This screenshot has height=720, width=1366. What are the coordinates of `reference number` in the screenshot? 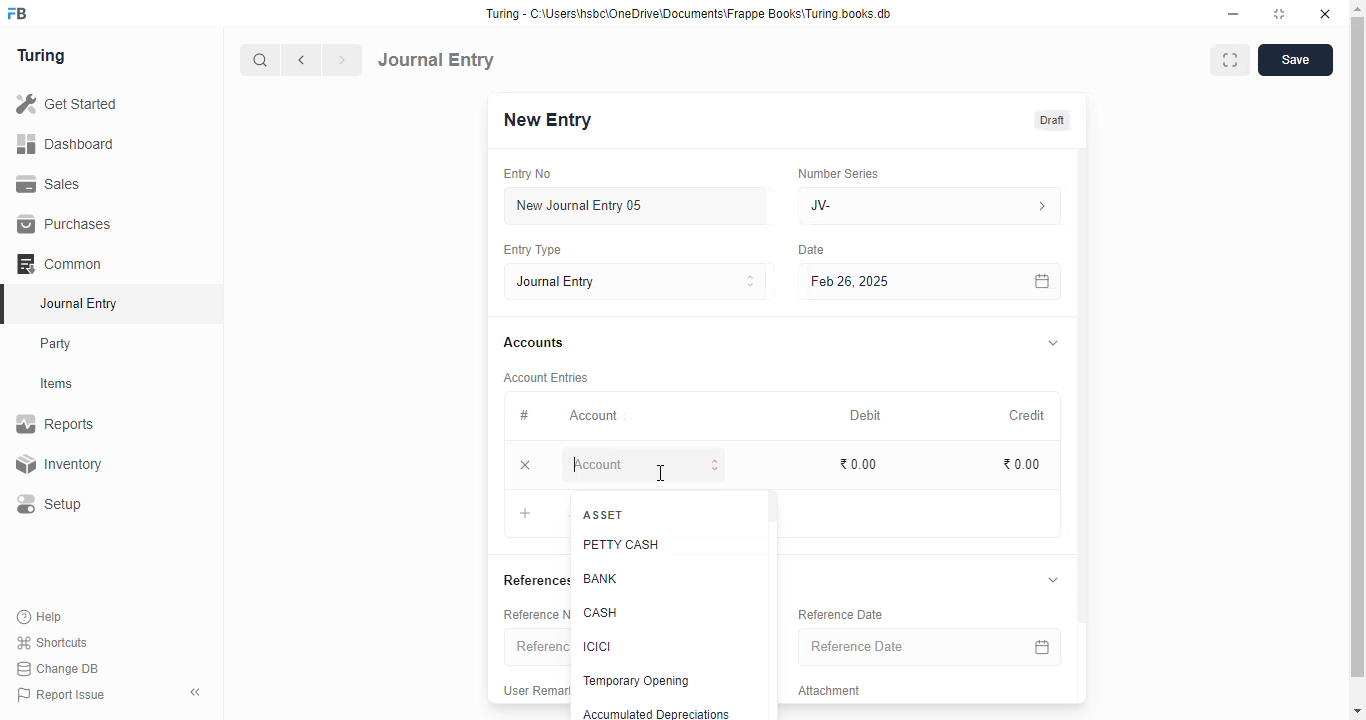 It's located at (535, 614).